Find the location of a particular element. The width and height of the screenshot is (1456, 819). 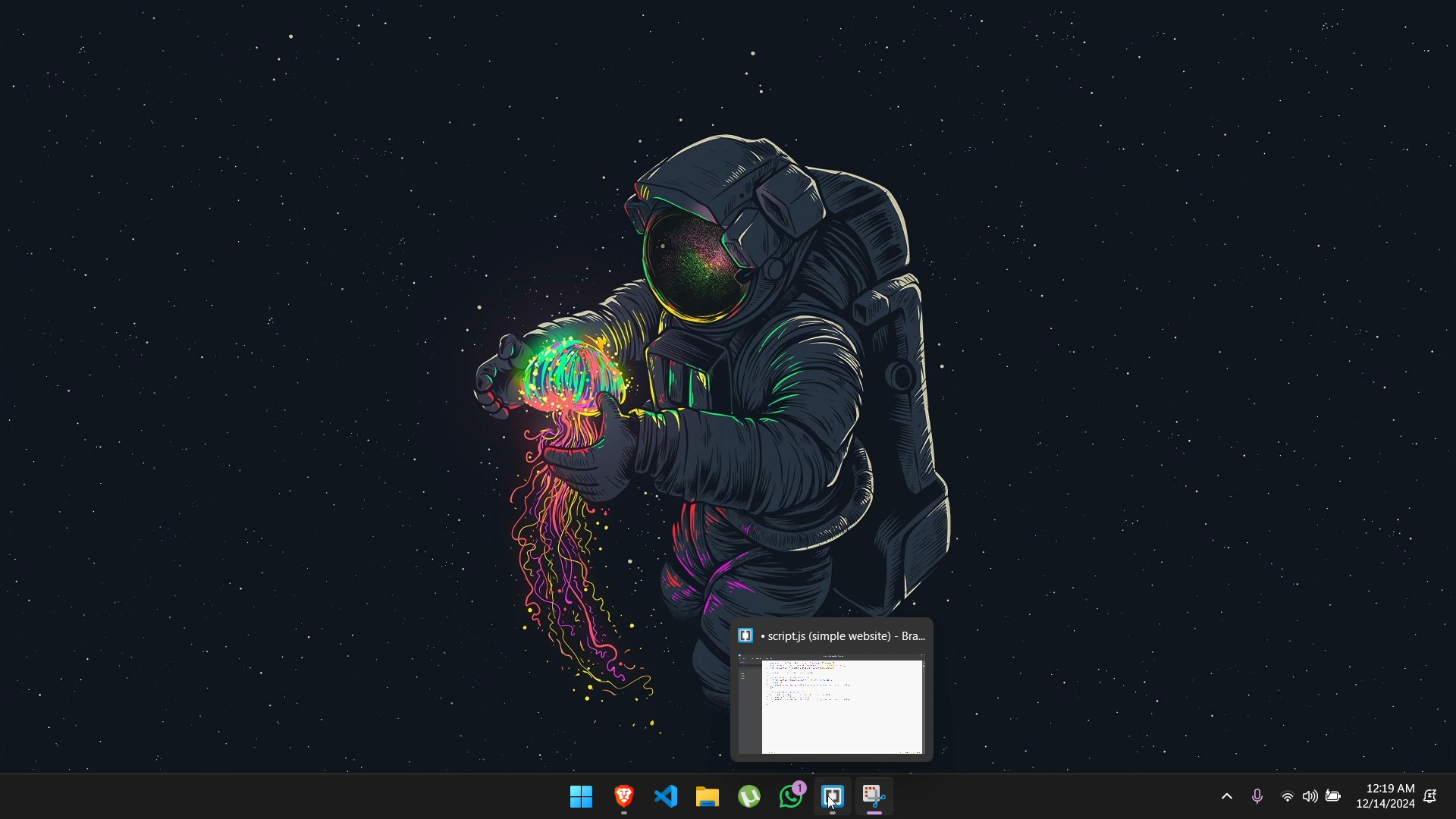

file explorer is located at coordinates (710, 795).